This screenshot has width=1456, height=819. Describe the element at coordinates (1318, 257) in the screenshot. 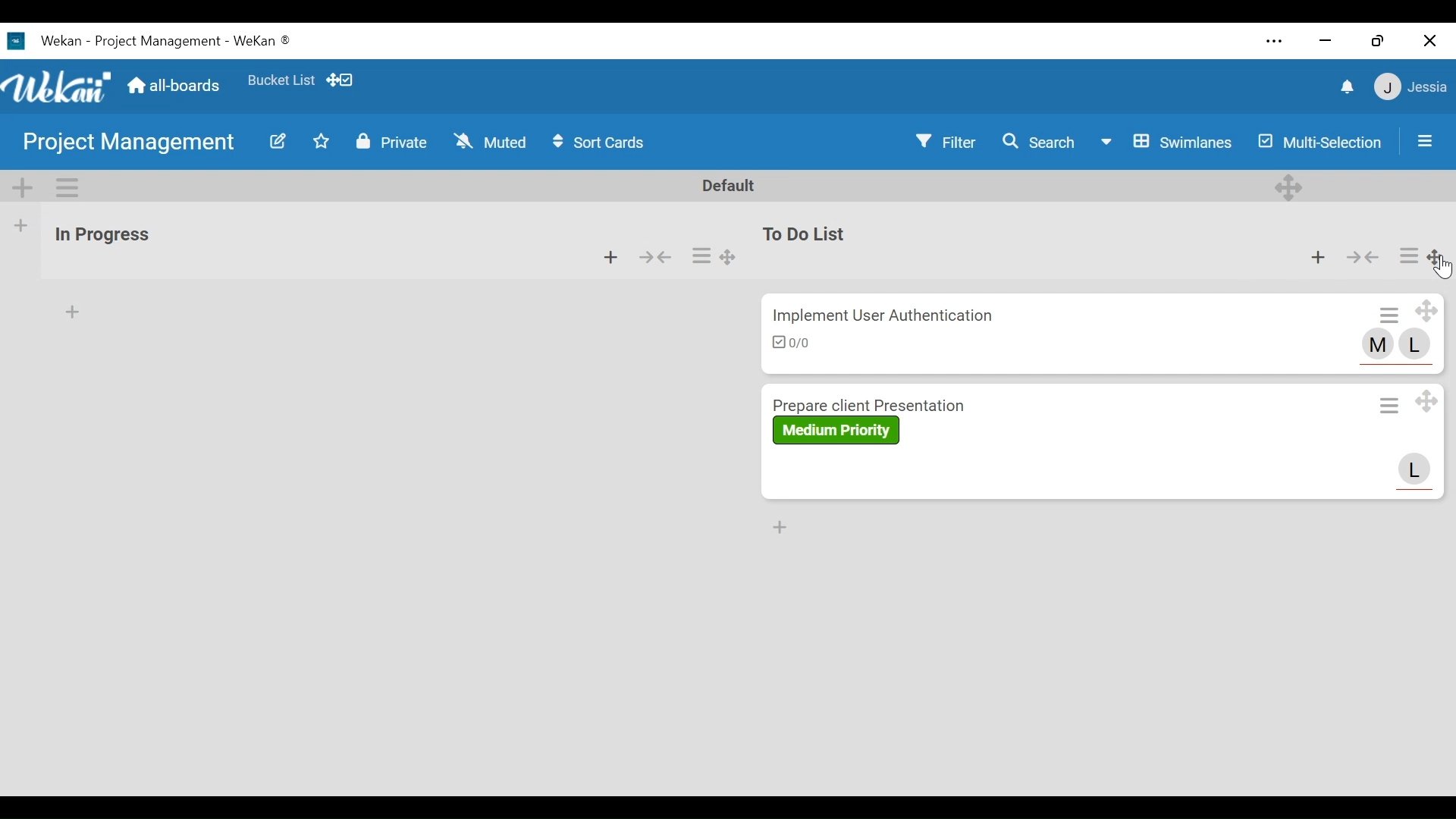

I see `Add card to the top of list` at that location.